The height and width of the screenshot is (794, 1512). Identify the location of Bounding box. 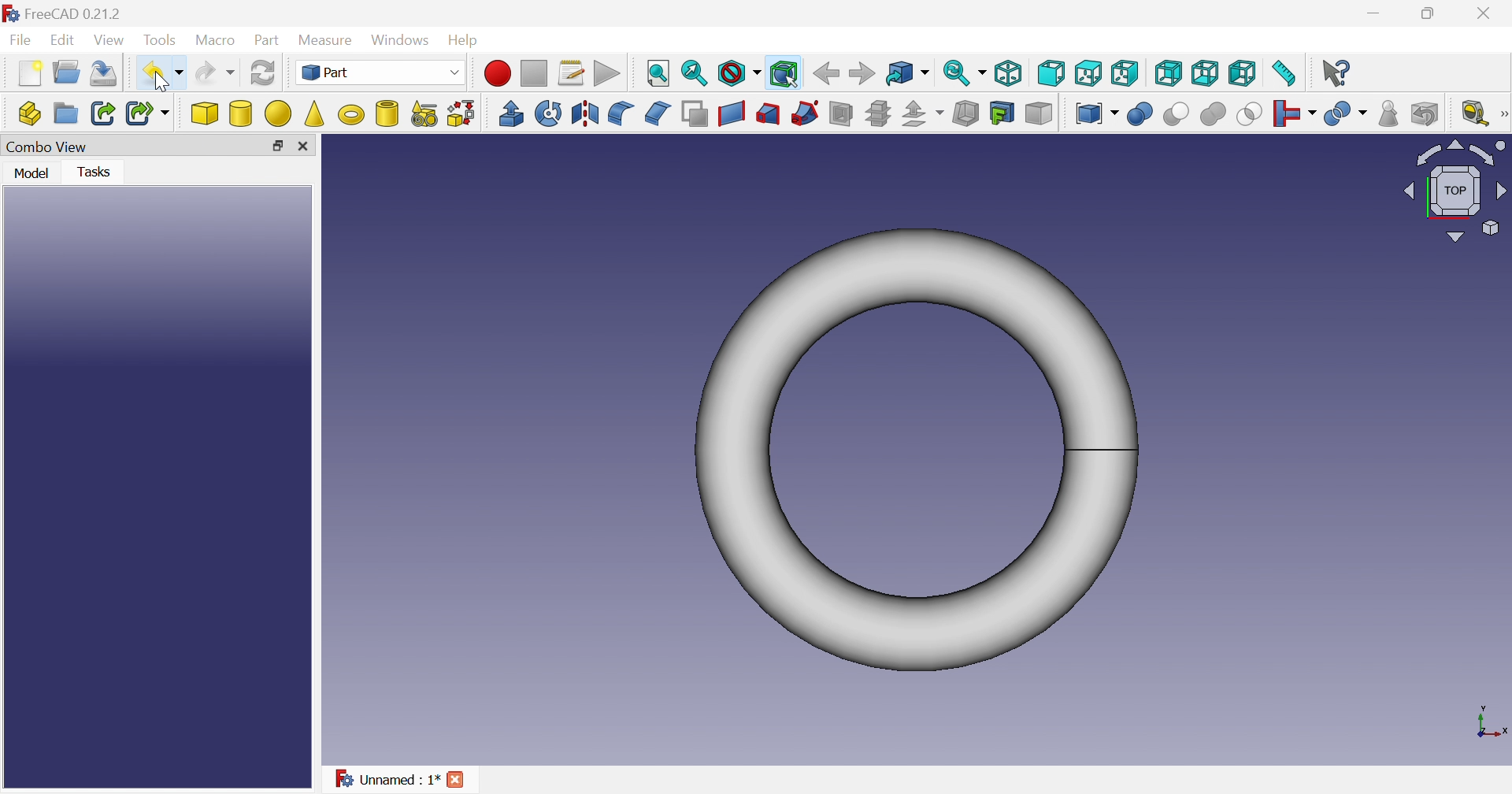
(786, 75).